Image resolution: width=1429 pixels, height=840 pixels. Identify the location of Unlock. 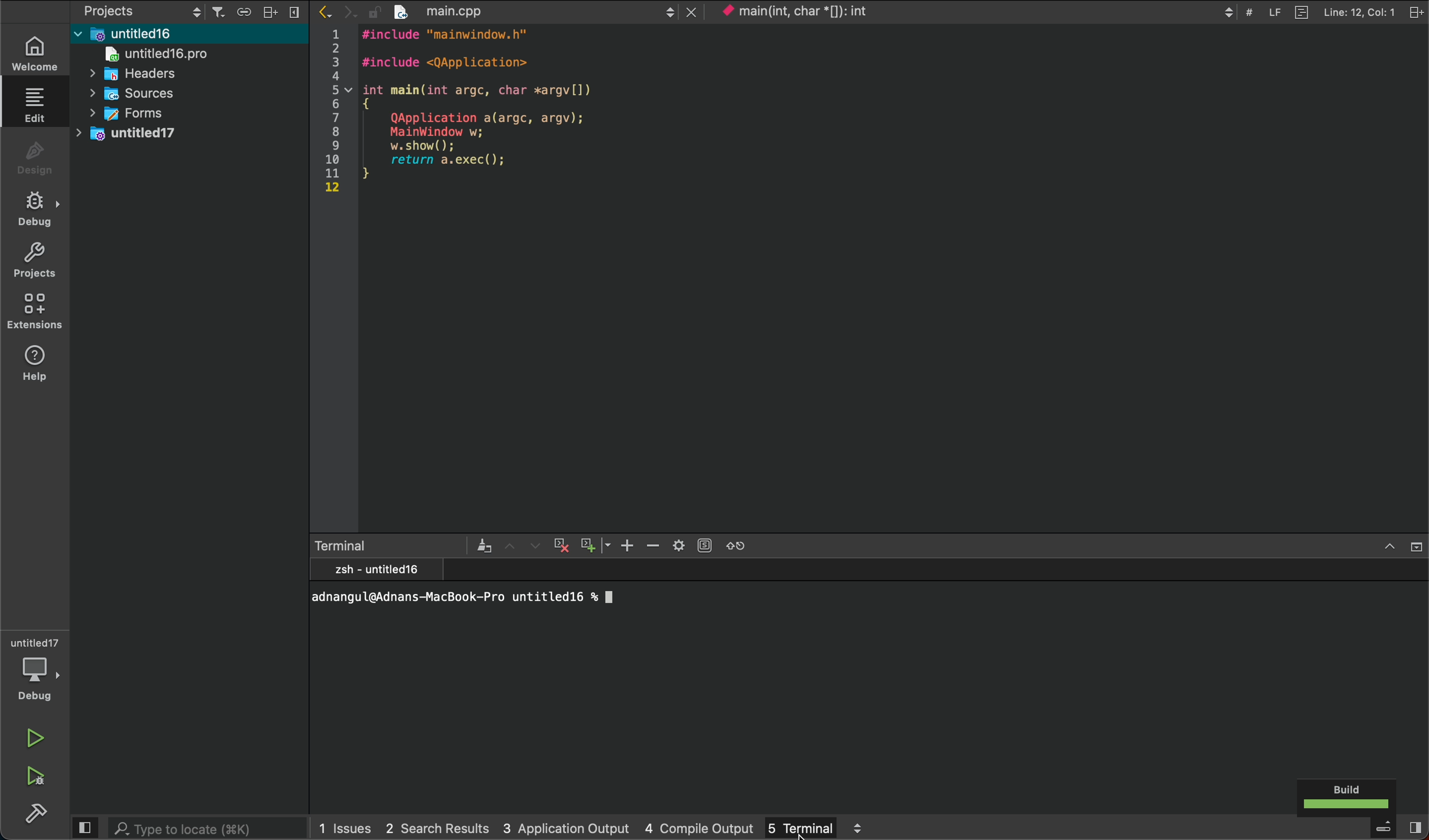
(374, 12).